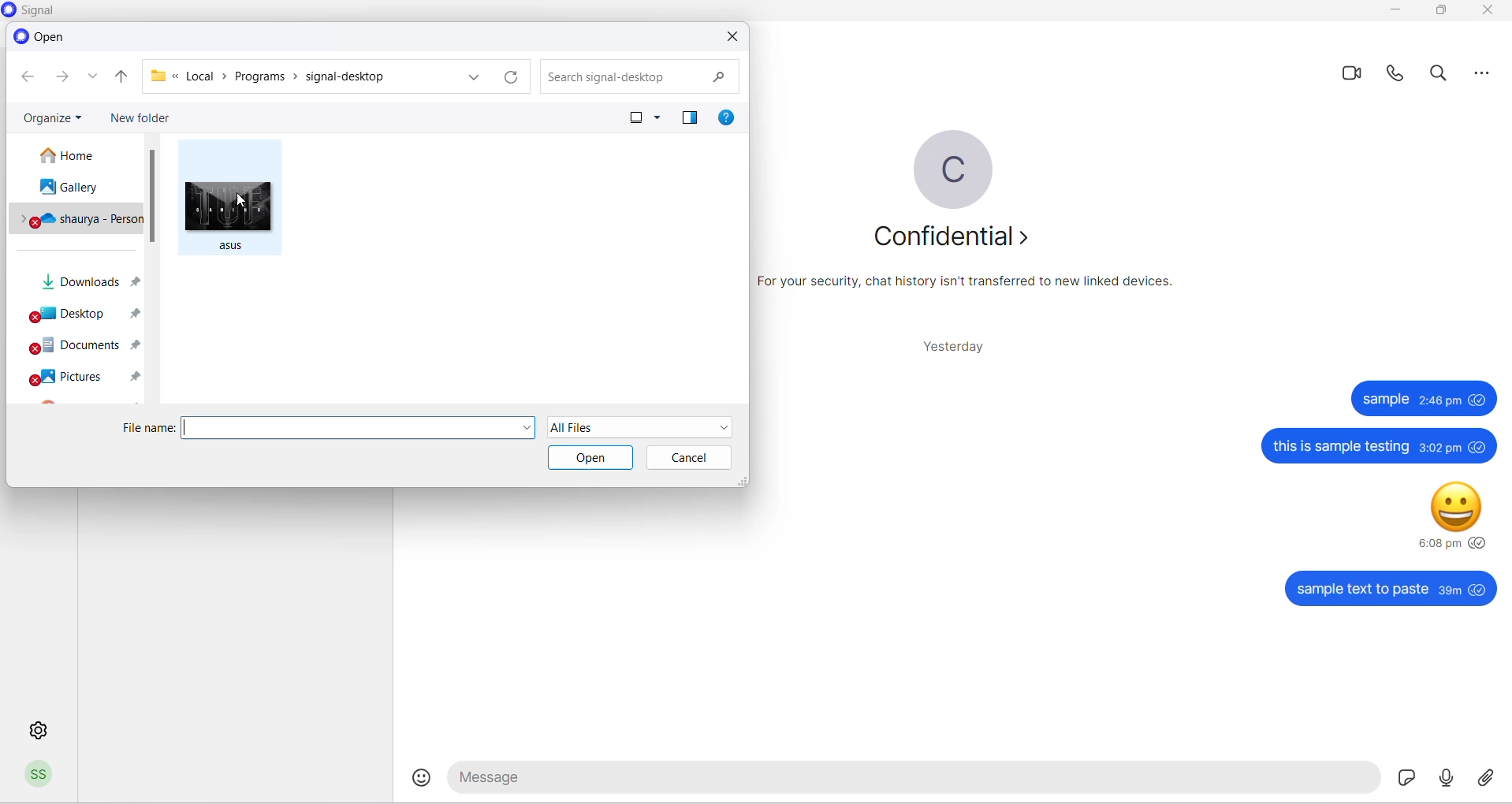  What do you see at coordinates (241, 203) in the screenshot?
I see `cursor` at bounding box center [241, 203].